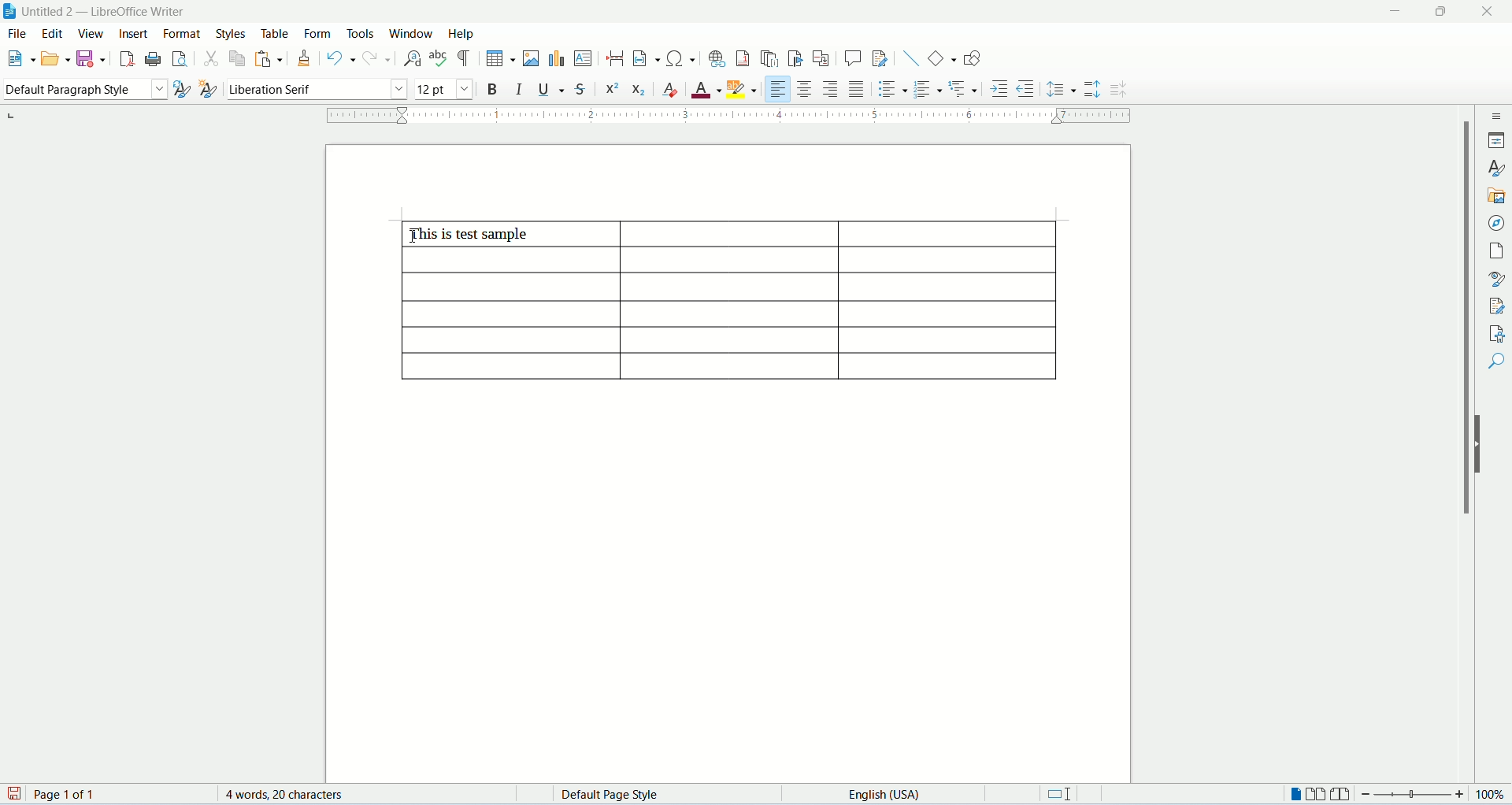  What do you see at coordinates (929, 88) in the screenshot?
I see `ordered list` at bounding box center [929, 88].